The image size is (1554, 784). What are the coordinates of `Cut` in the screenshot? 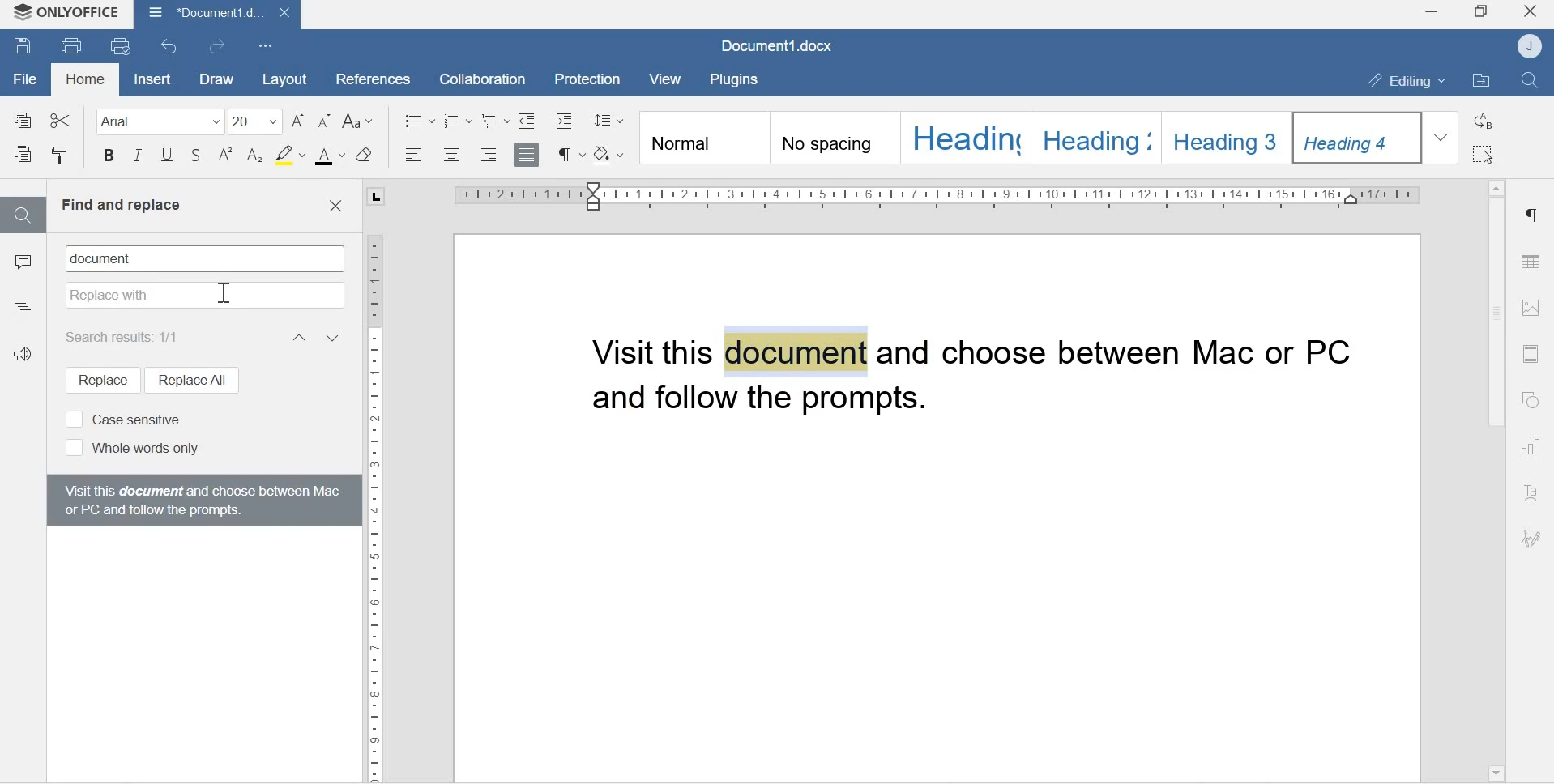 It's located at (60, 117).